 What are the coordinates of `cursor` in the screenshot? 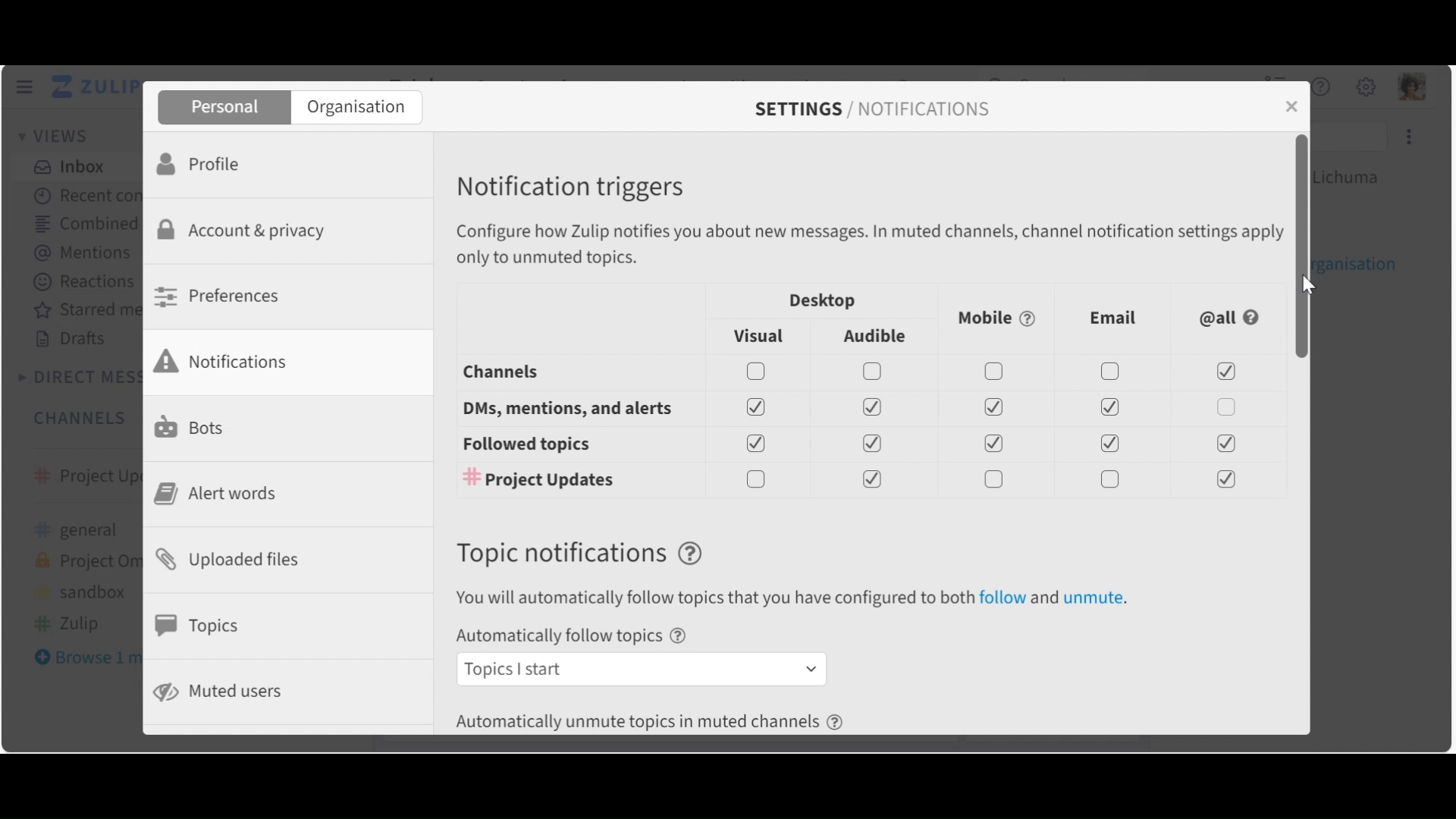 It's located at (1313, 291).